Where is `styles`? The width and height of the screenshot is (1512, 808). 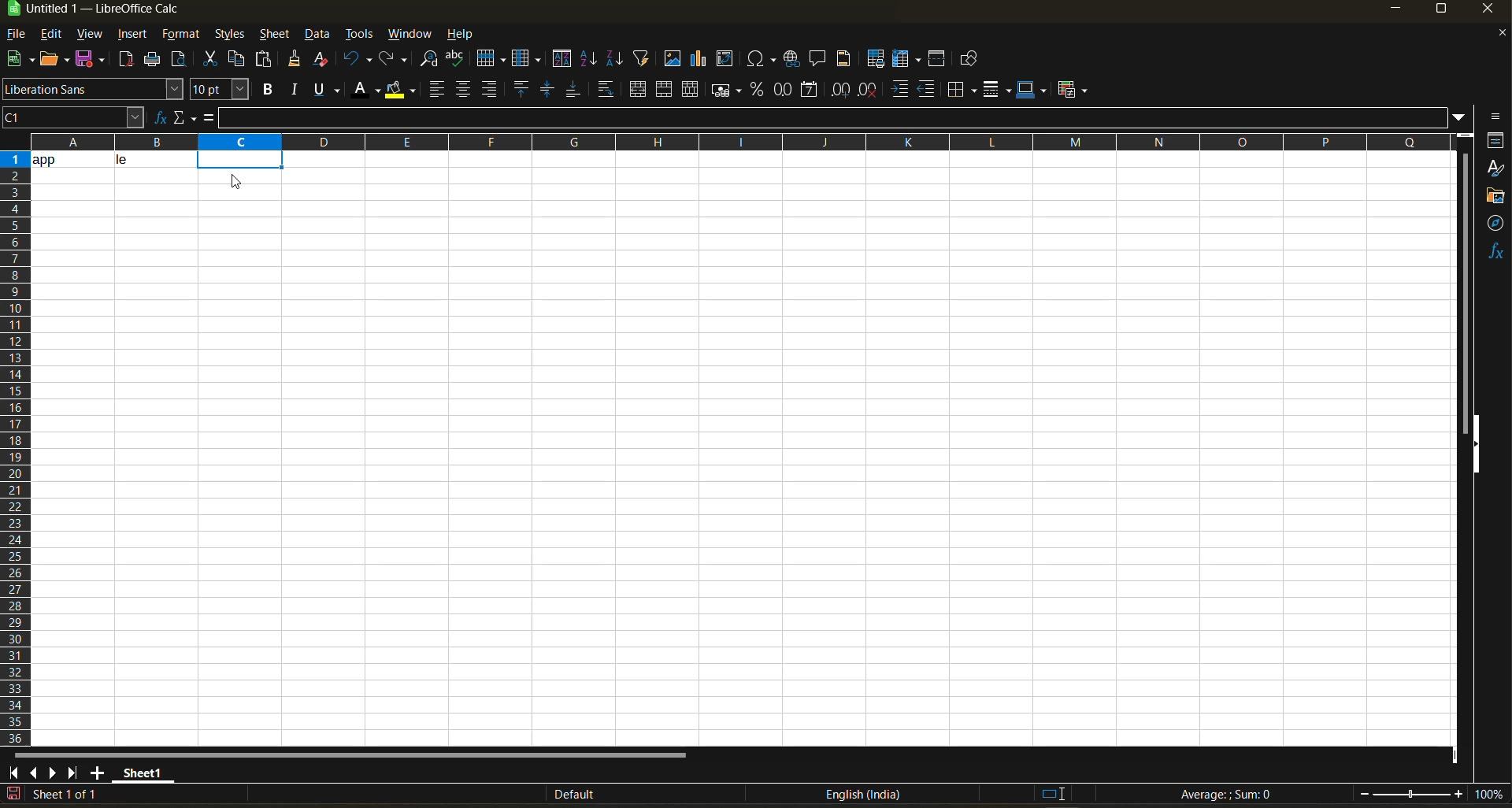 styles is located at coordinates (1495, 169).